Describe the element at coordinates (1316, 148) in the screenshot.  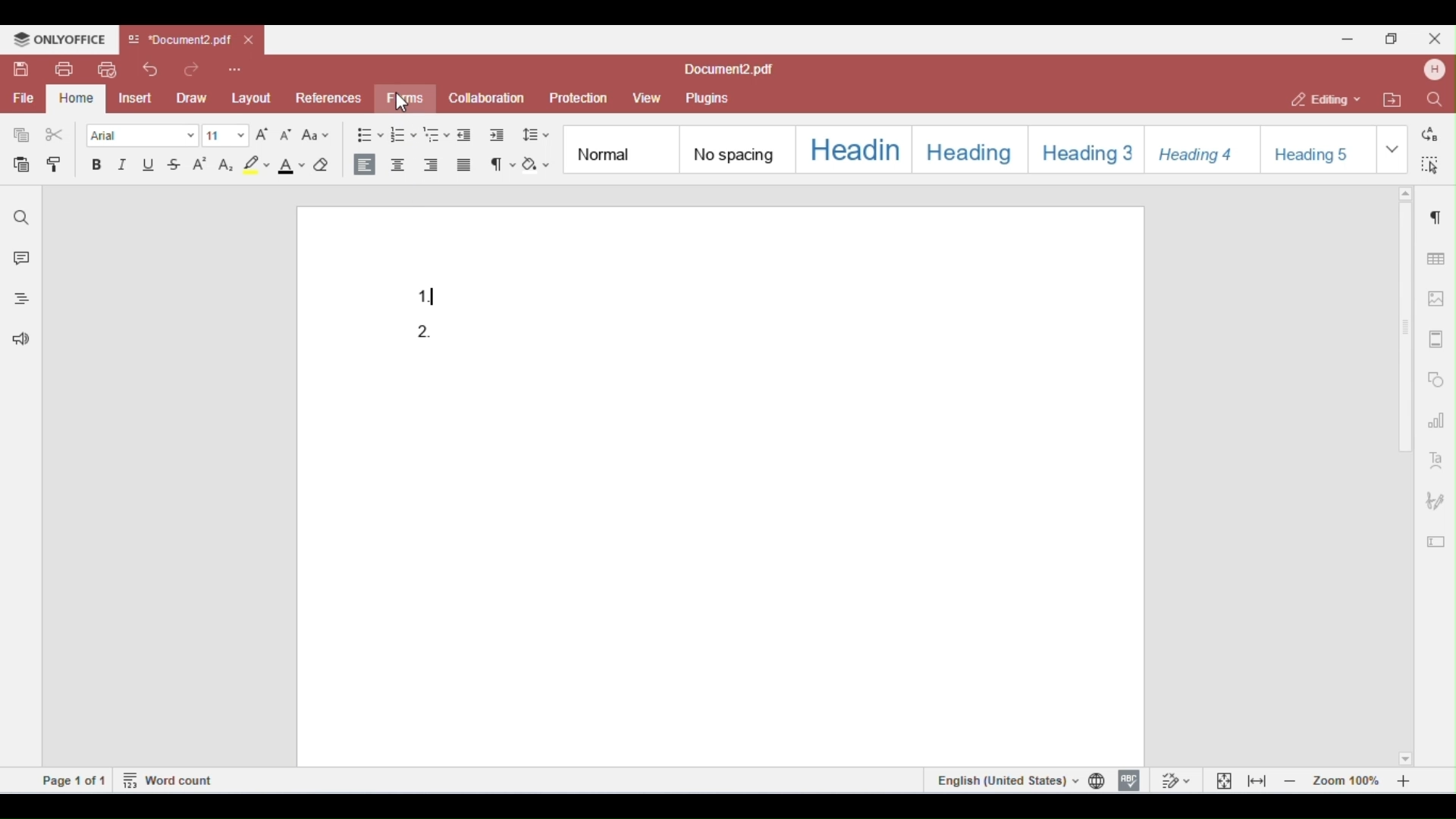
I see `heading 5` at that location.